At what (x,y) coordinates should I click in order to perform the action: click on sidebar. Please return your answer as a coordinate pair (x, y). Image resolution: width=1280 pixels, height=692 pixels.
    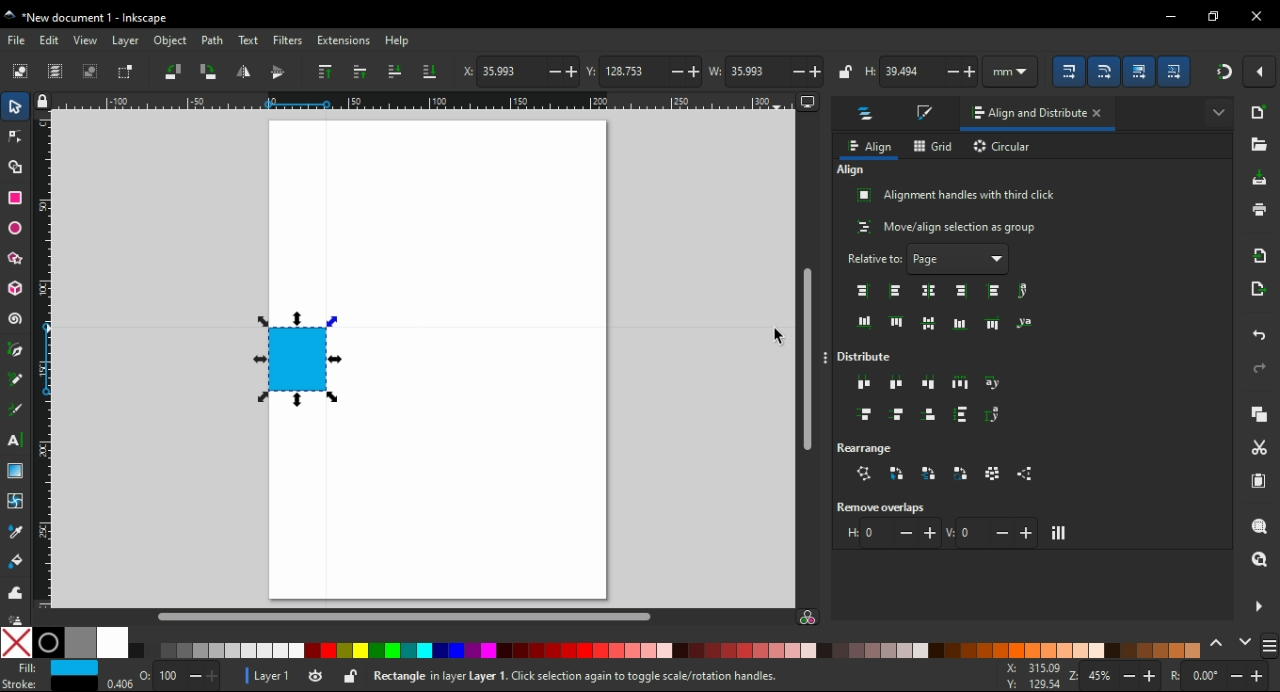
    Looking at the image, I should click on (1267, 643).